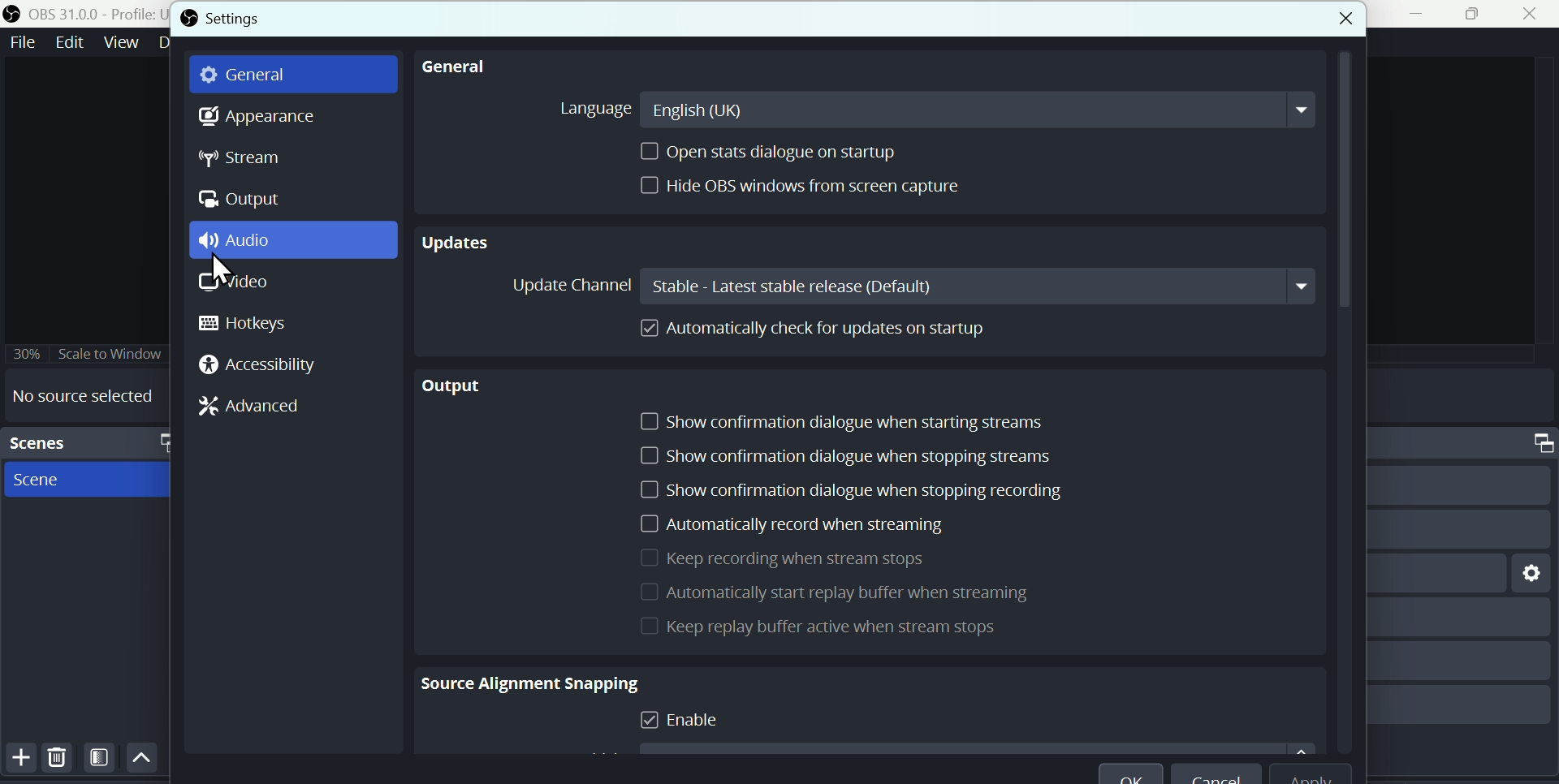 The height and width of the screenshot is (784, 1559). Describe the element at coordinates (14, 13) in the screenshot. I see `OBS logo` at that location.